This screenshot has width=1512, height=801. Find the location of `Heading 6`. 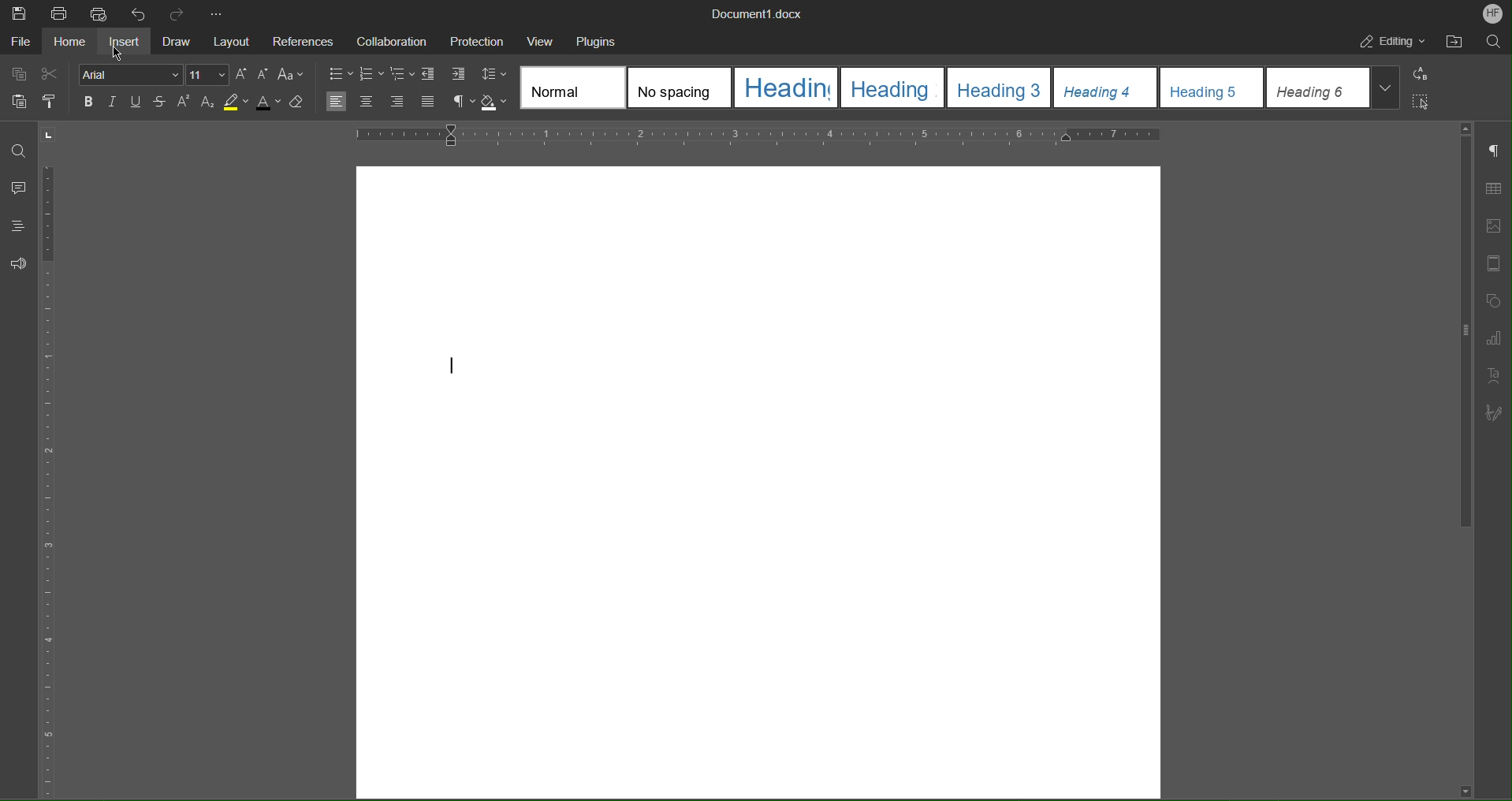

Heading 6 is located at coordinates (1334, 88).